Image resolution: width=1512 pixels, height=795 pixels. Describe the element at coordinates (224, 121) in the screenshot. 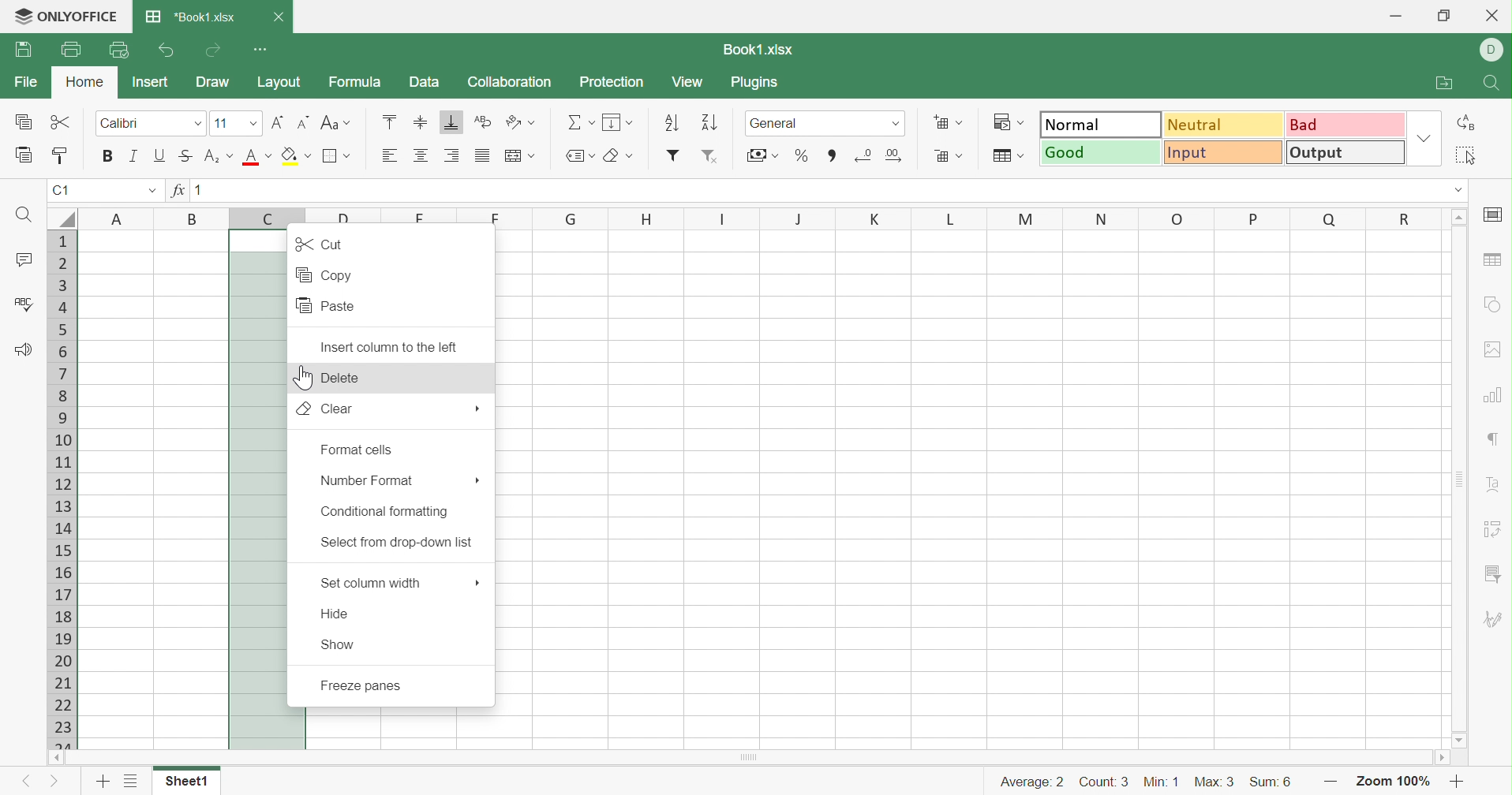

I see `11` at that location.